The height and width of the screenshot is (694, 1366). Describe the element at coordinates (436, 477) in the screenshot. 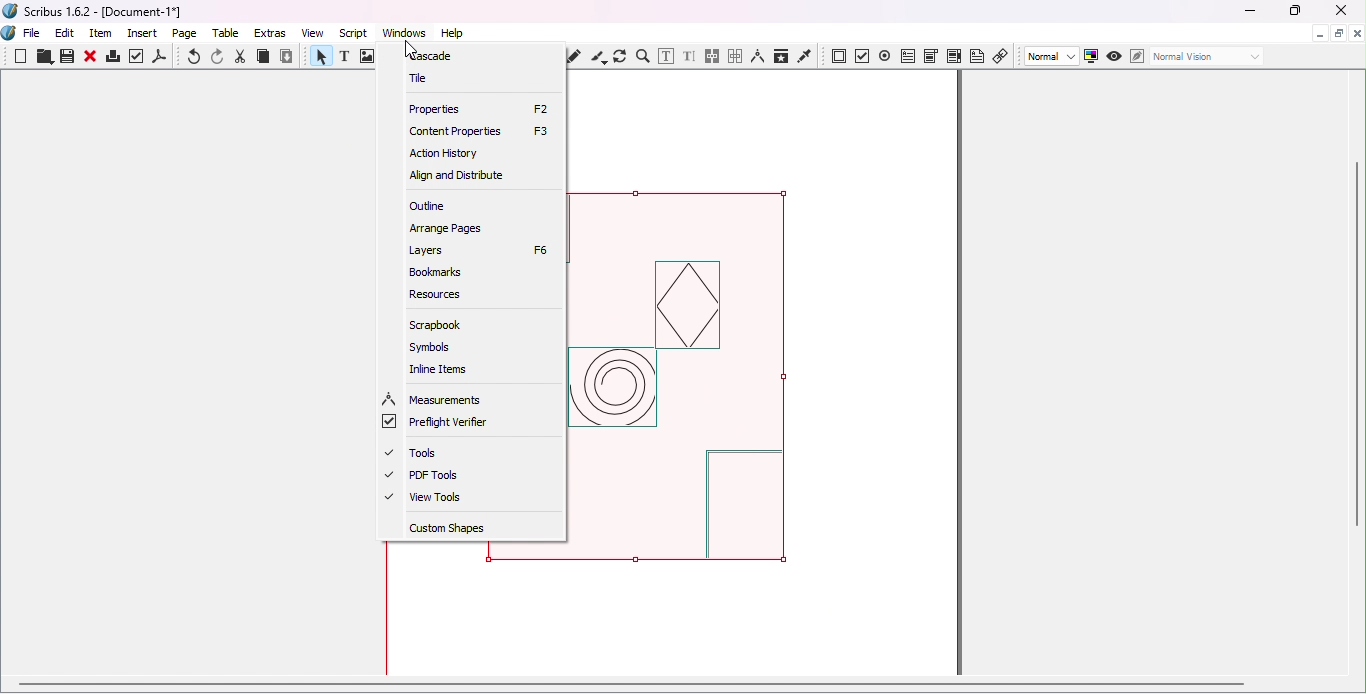

I see `PDF tools` at that location.